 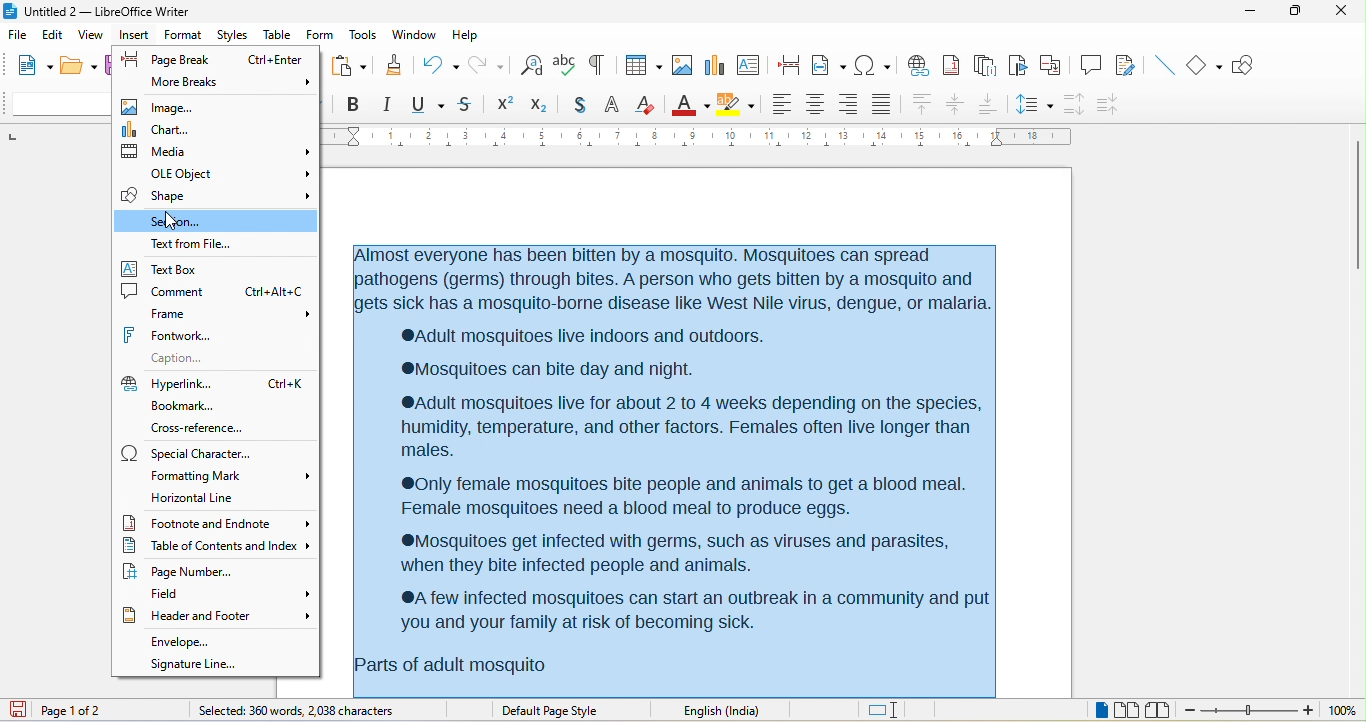 What do you see at coordinates (553, 708) in the screenshot?
I see `default page style` at bounding box center [553, 708].